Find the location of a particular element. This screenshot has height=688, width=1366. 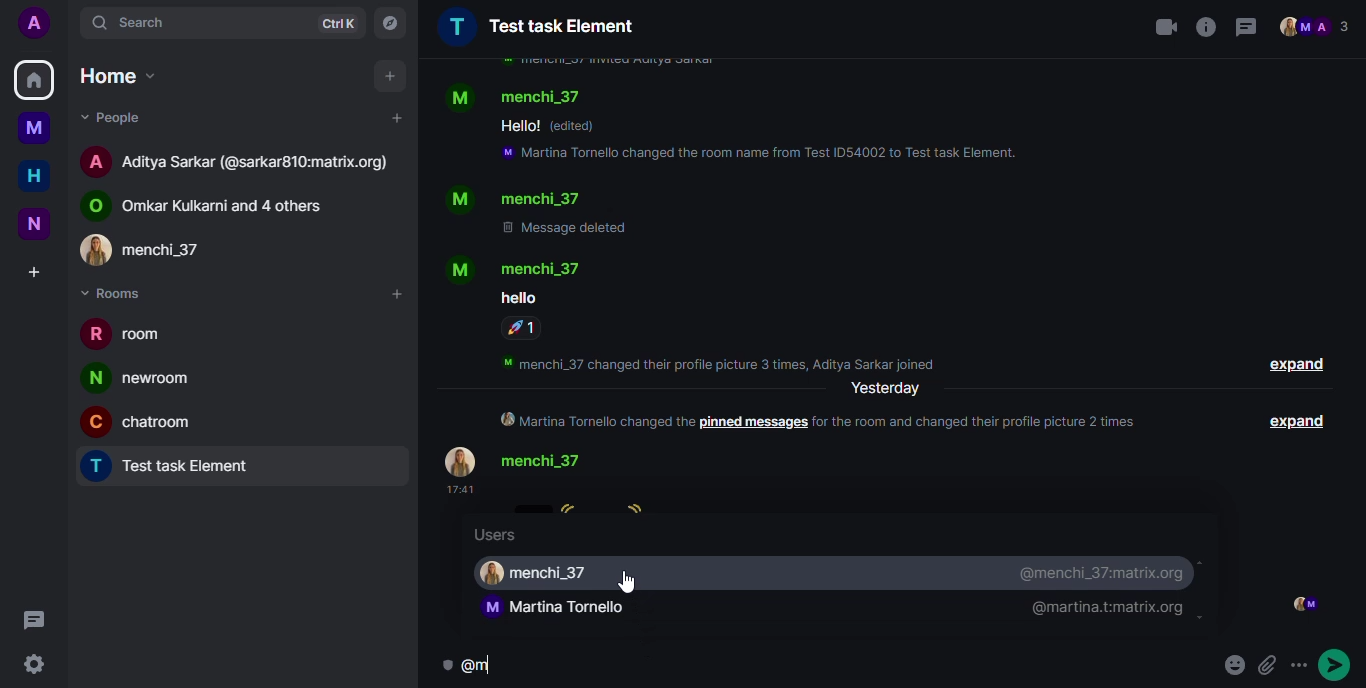

info- Martine tornealo changed the room from test is located at coordinates (762, 155).